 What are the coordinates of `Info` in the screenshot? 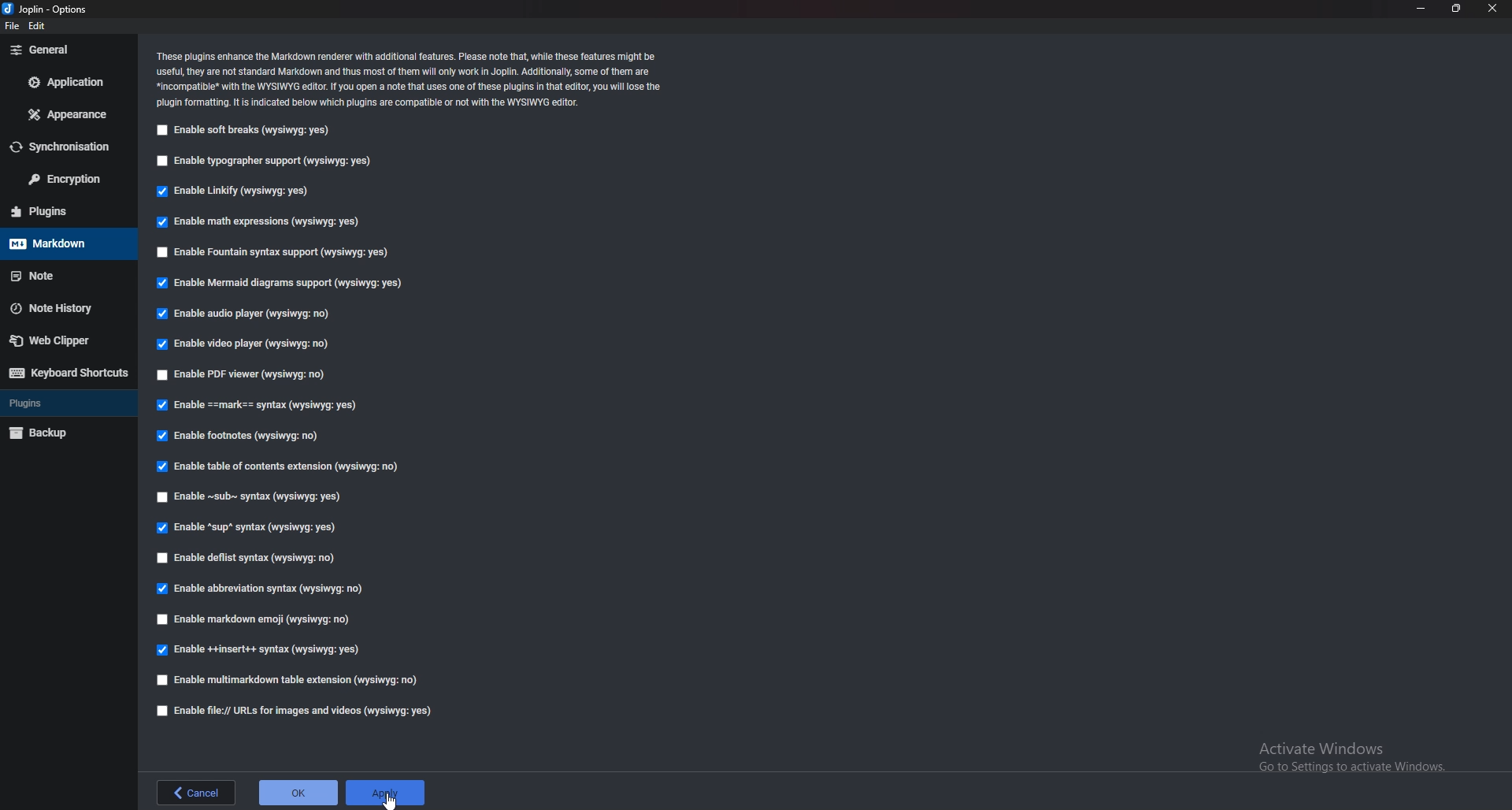 It's located at (427, 78).